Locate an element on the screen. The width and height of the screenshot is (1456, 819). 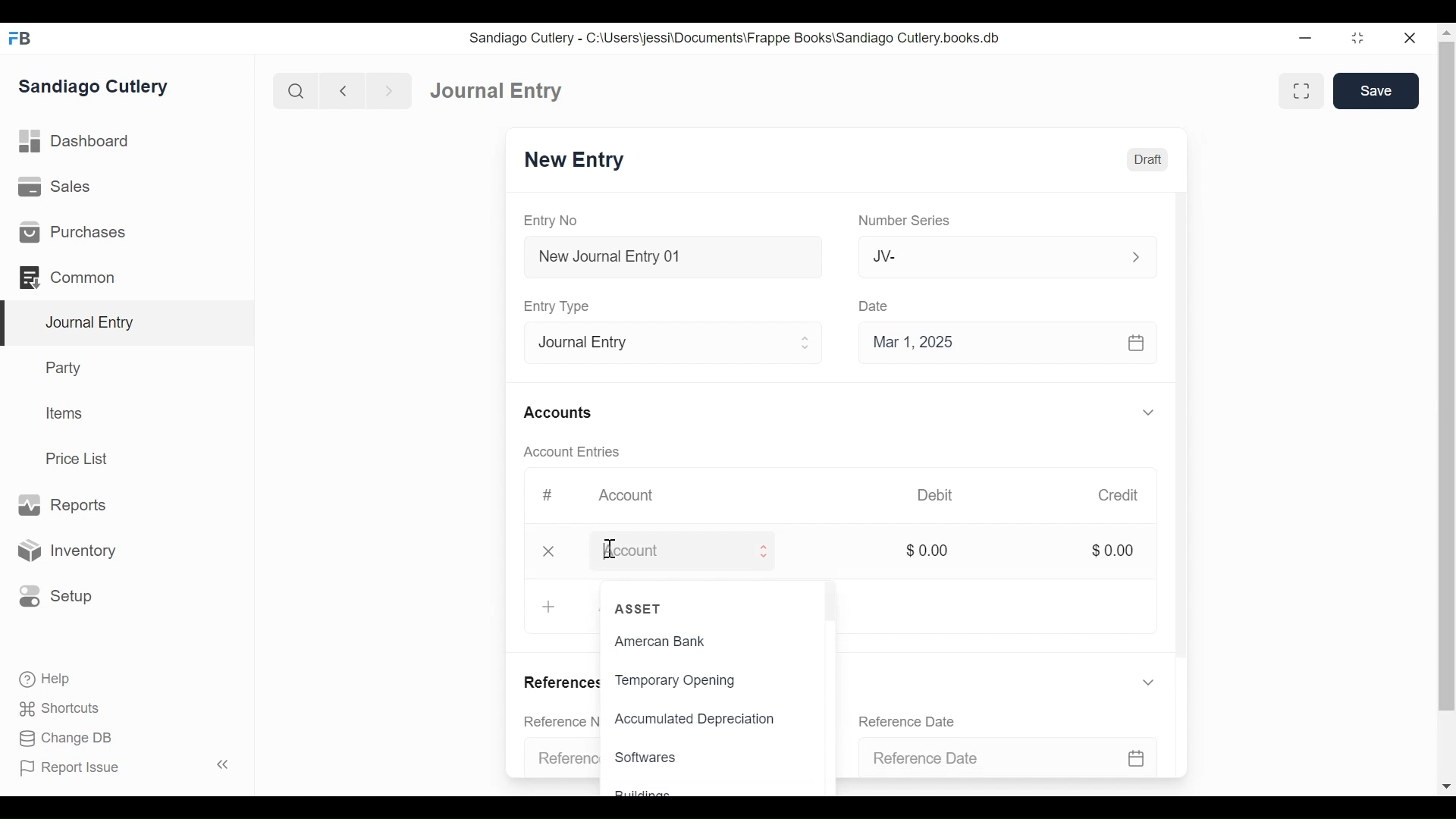
Date is located at coordinates (884, 306).